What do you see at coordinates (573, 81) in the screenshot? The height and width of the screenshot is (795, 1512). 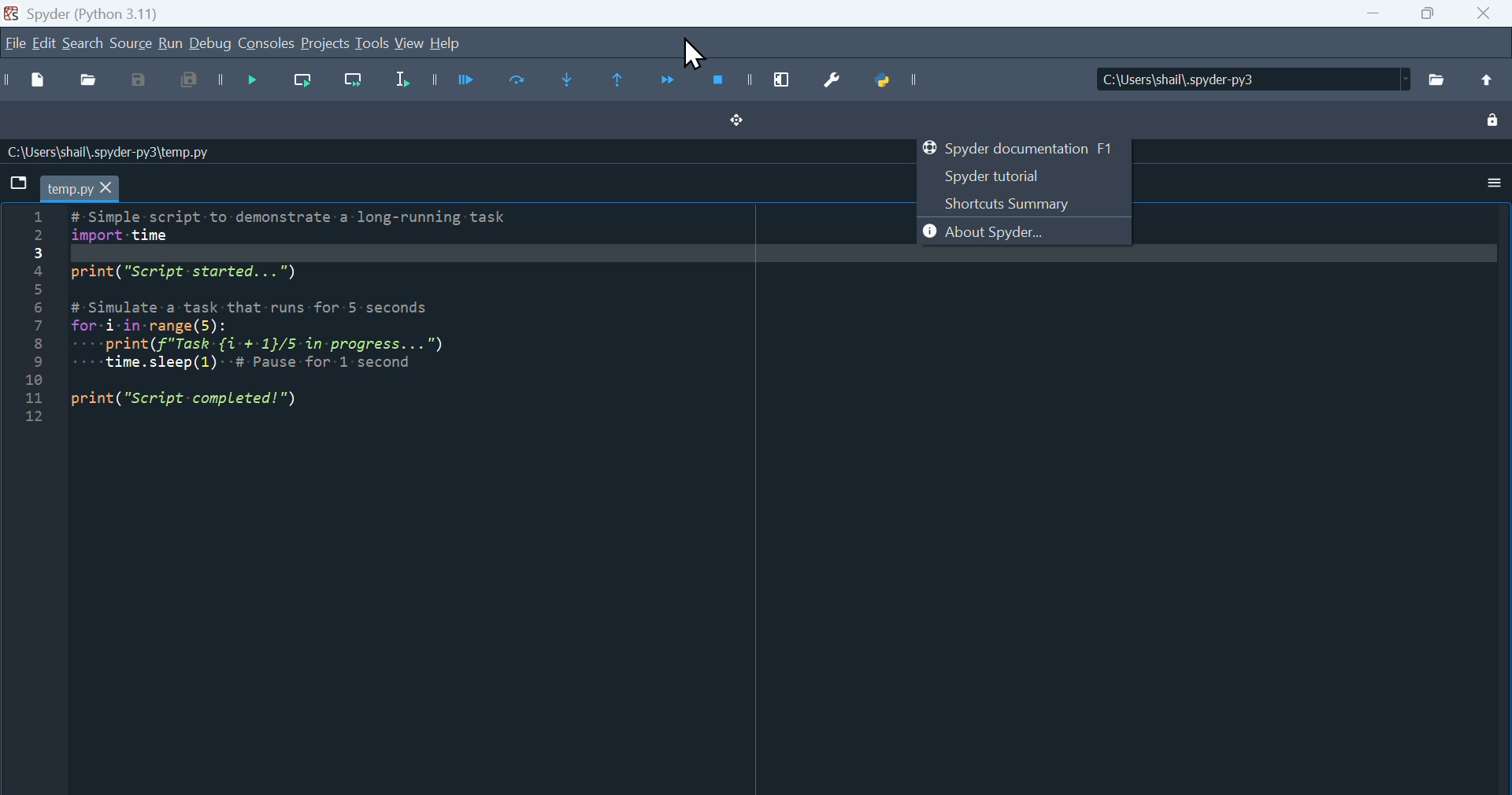 I see `Step into function` at bounding box center [573, 81].